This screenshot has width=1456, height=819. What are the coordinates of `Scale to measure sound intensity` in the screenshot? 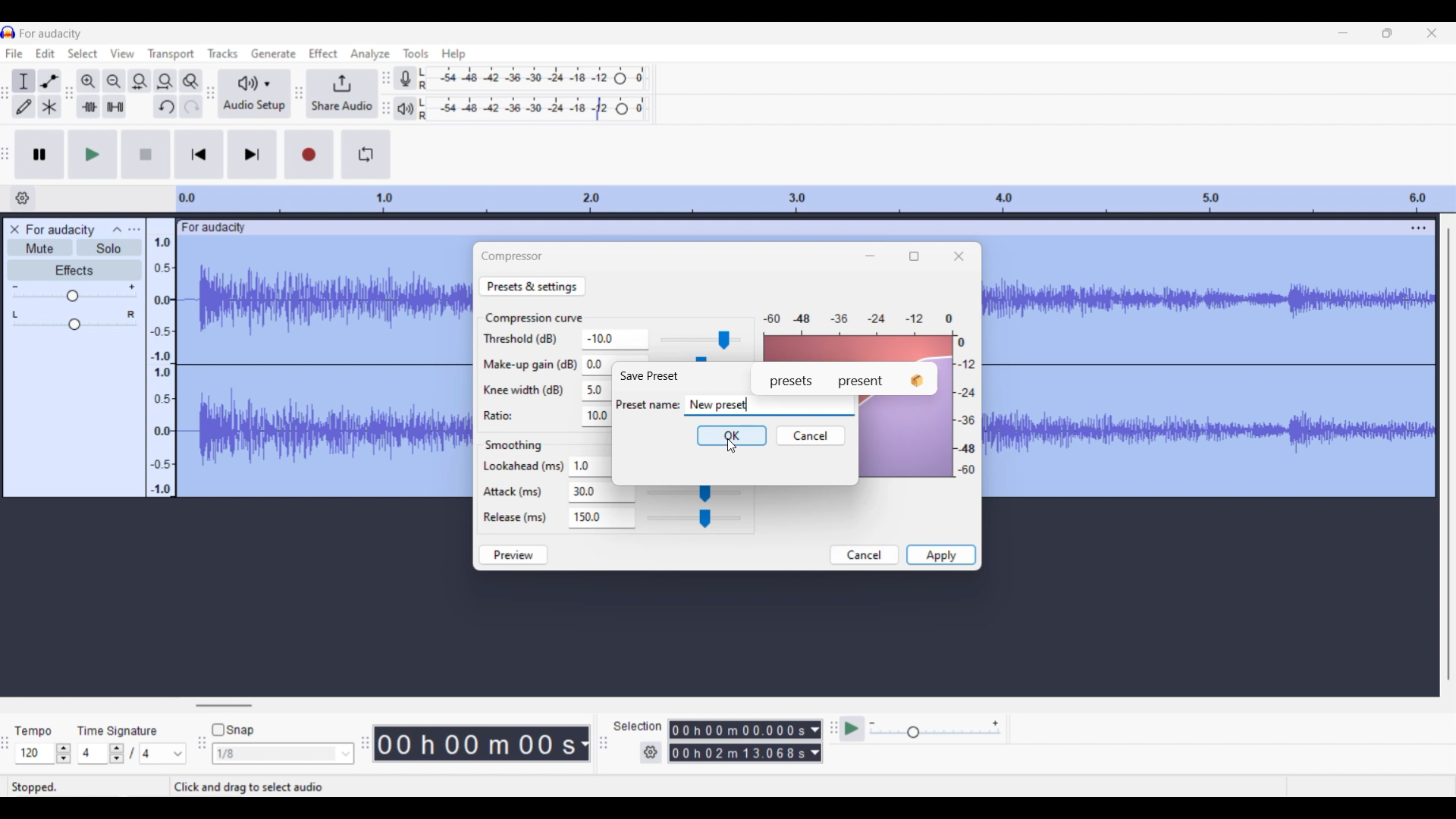 It's located at (162, 366).